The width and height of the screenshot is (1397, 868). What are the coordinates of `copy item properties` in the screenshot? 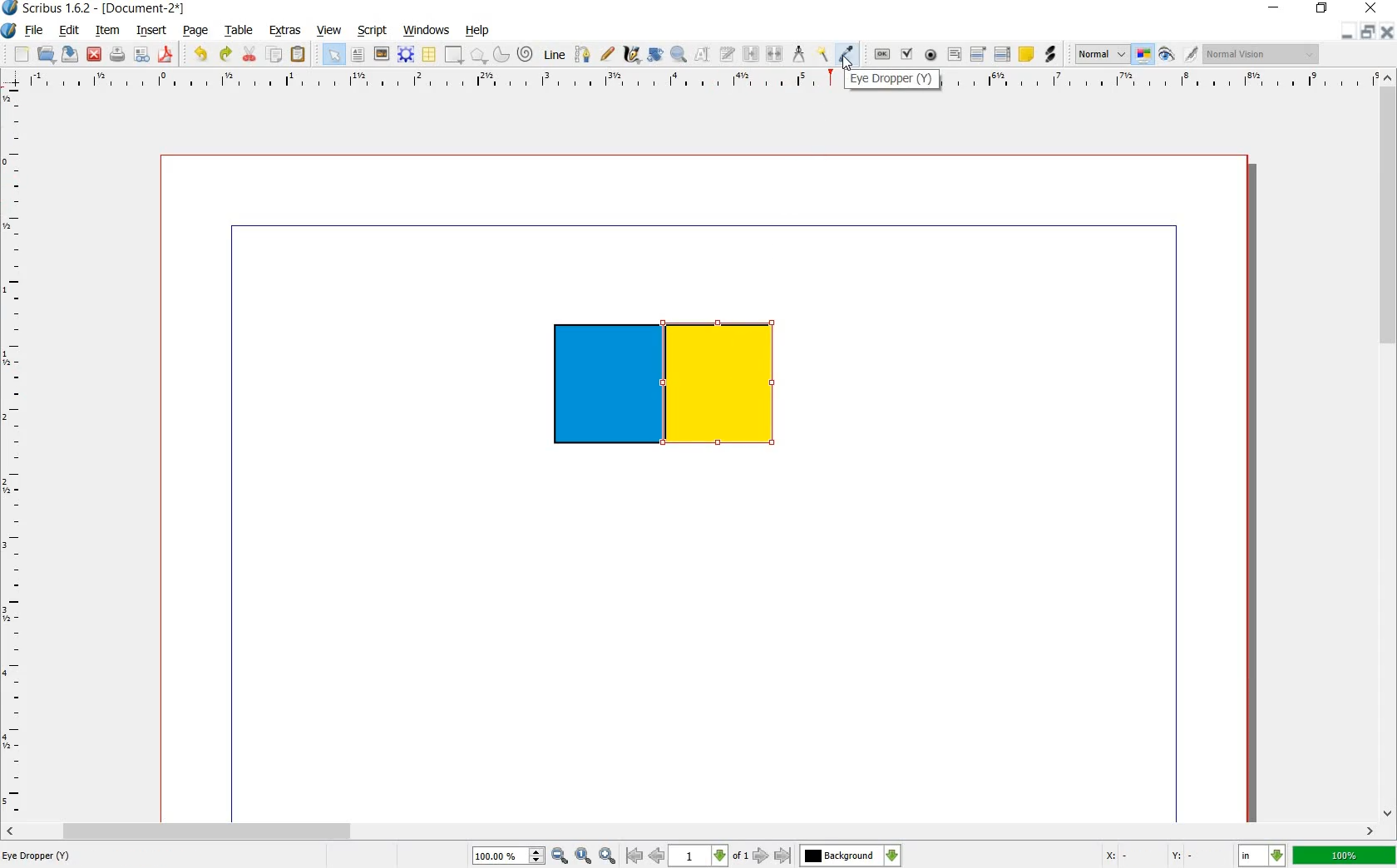 It's located at (821, 55).